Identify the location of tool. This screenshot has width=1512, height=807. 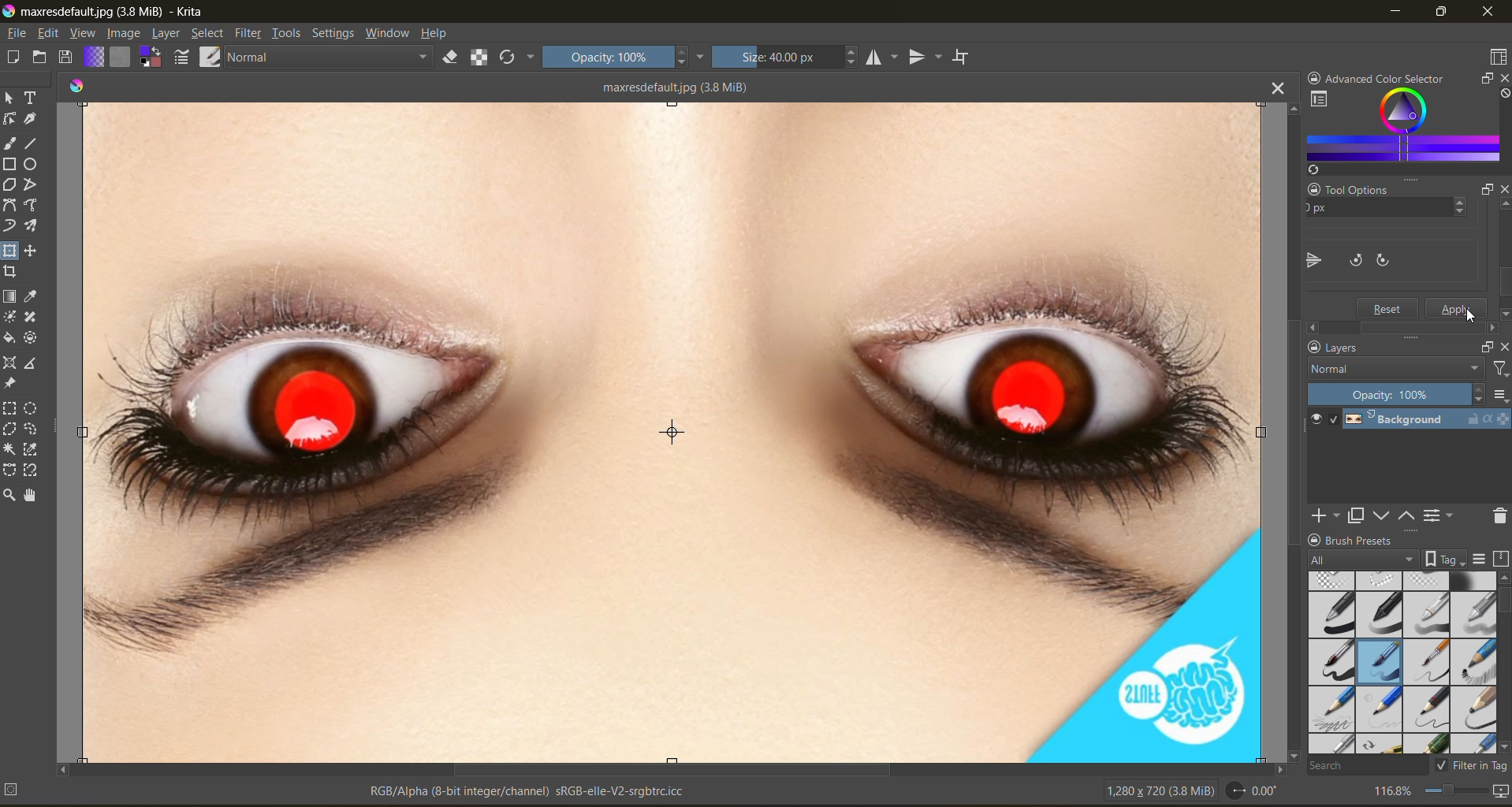
(35, 184).